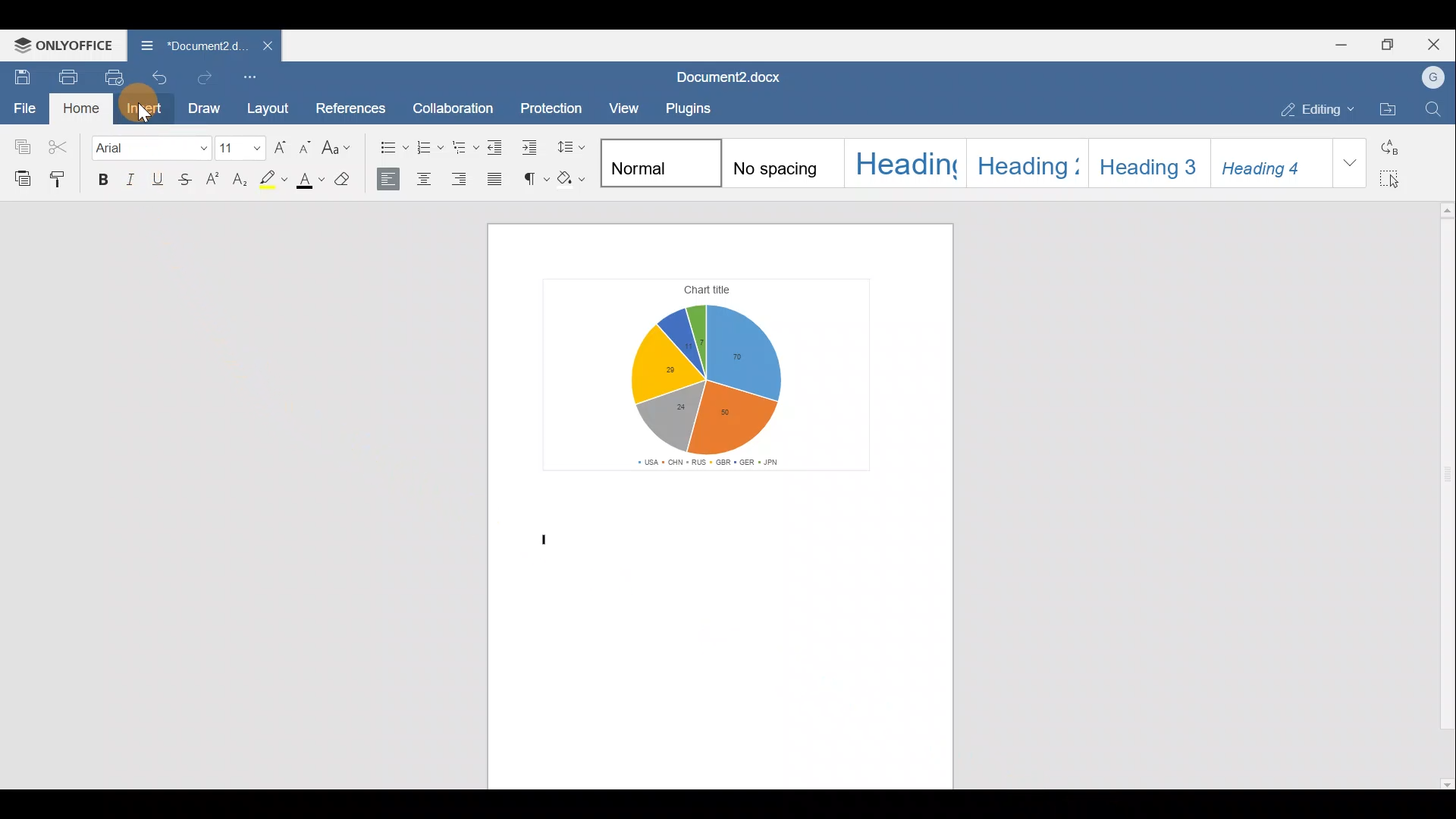  I want to click on Increase indent, so click(533, 146).